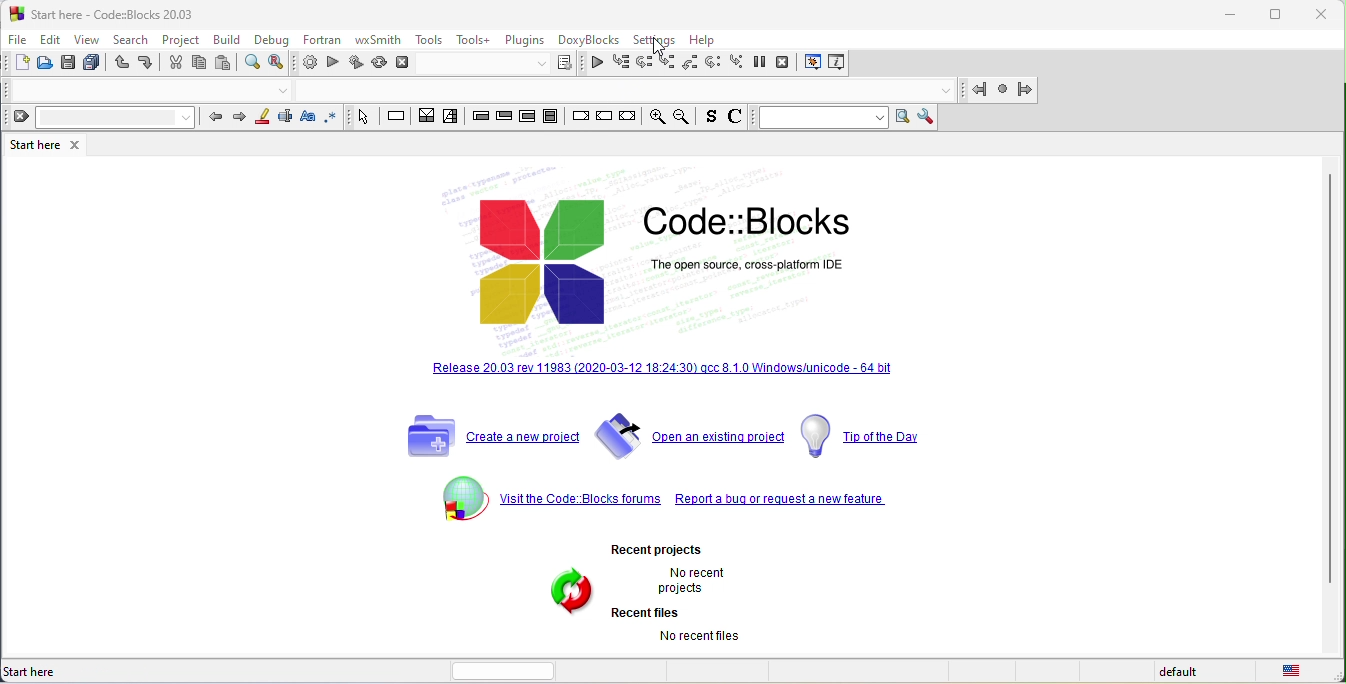  What do you see at coordinates (74, 146) in the screenshot?
I see `close` at bounding box center [74, 146].